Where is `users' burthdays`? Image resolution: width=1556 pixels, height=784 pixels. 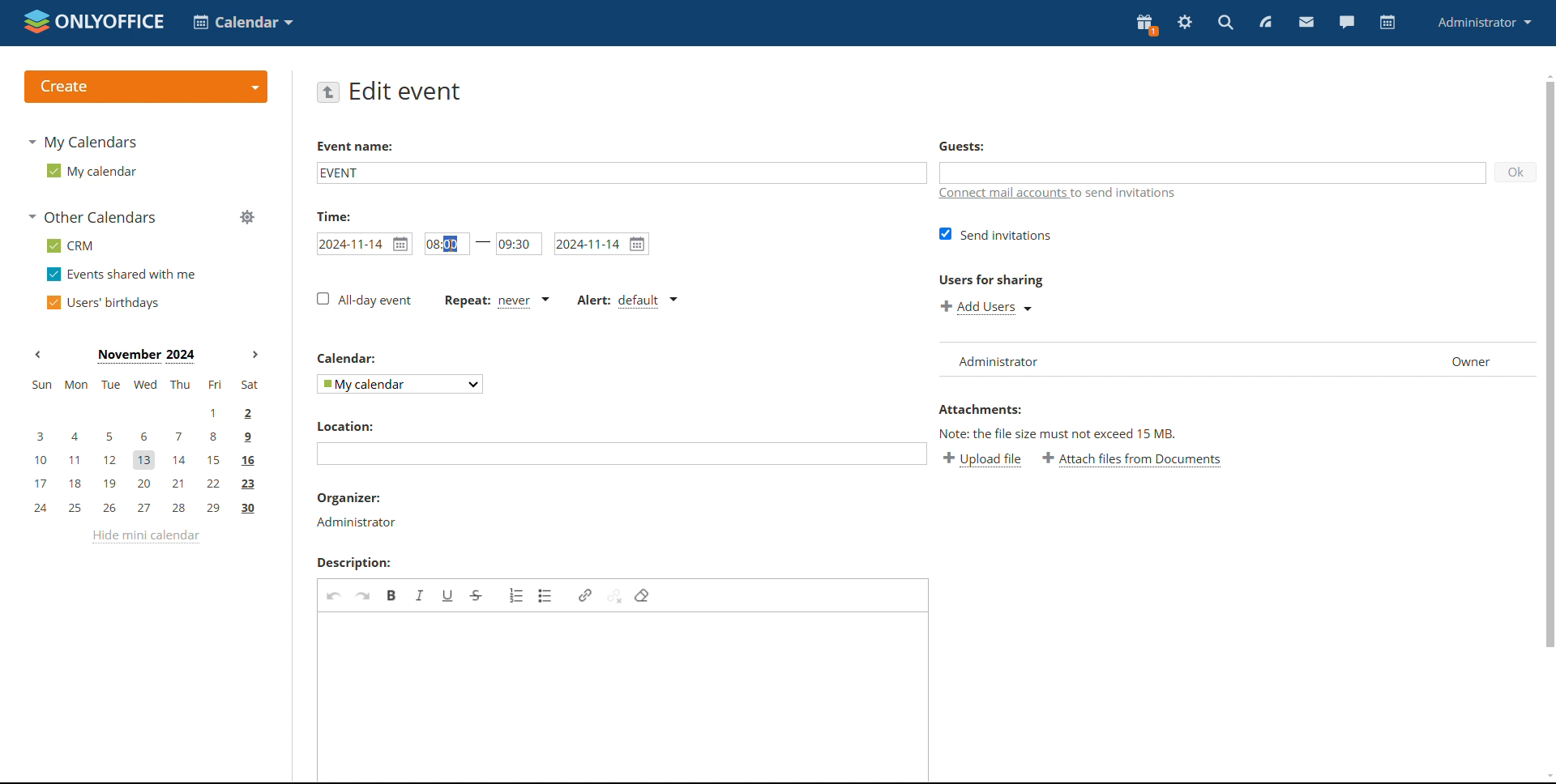 users' burthdays is located at coordinates (106, 301).